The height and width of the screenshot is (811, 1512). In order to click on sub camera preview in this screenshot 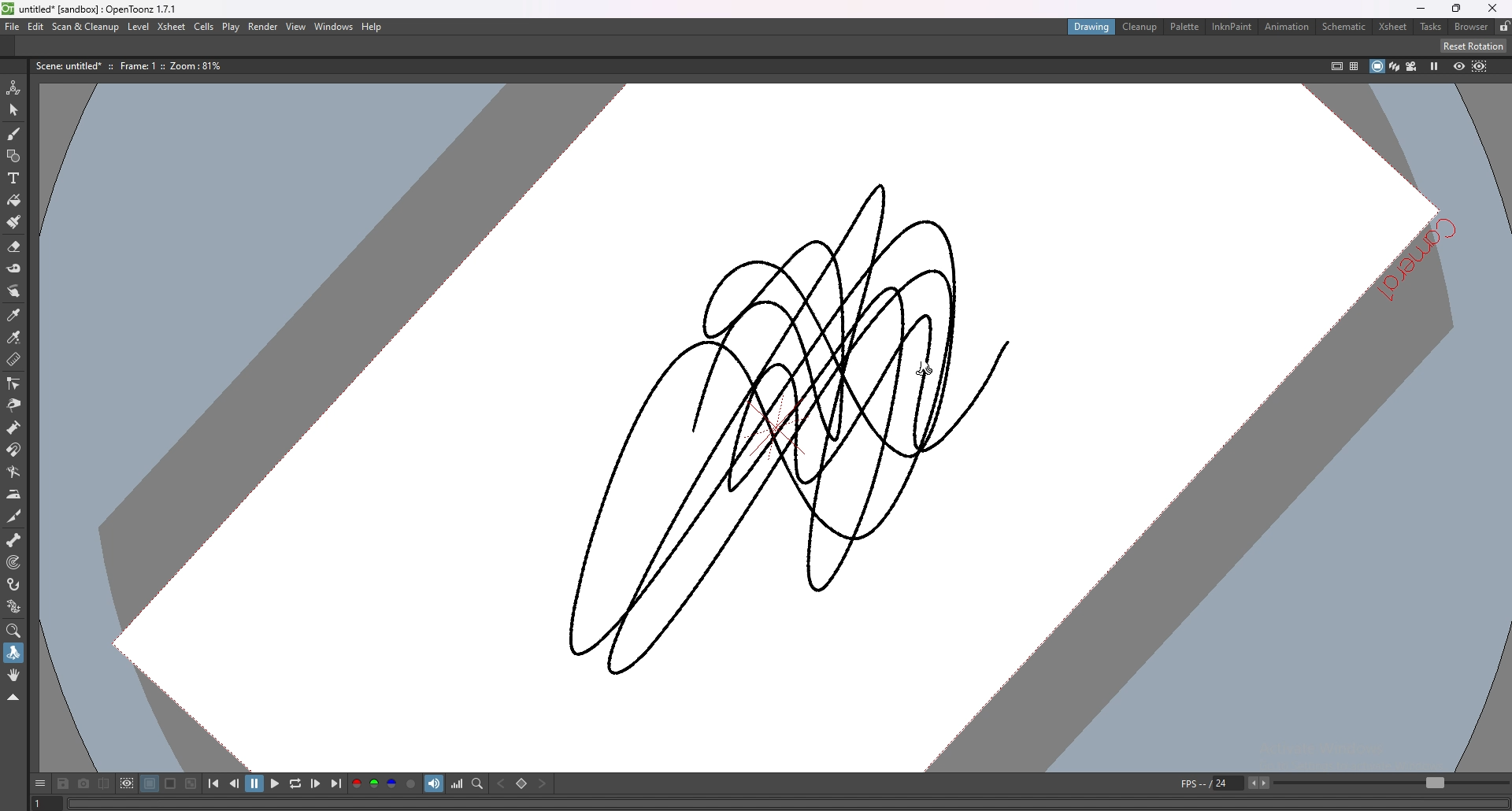, I will do `click(1480, 66)`.